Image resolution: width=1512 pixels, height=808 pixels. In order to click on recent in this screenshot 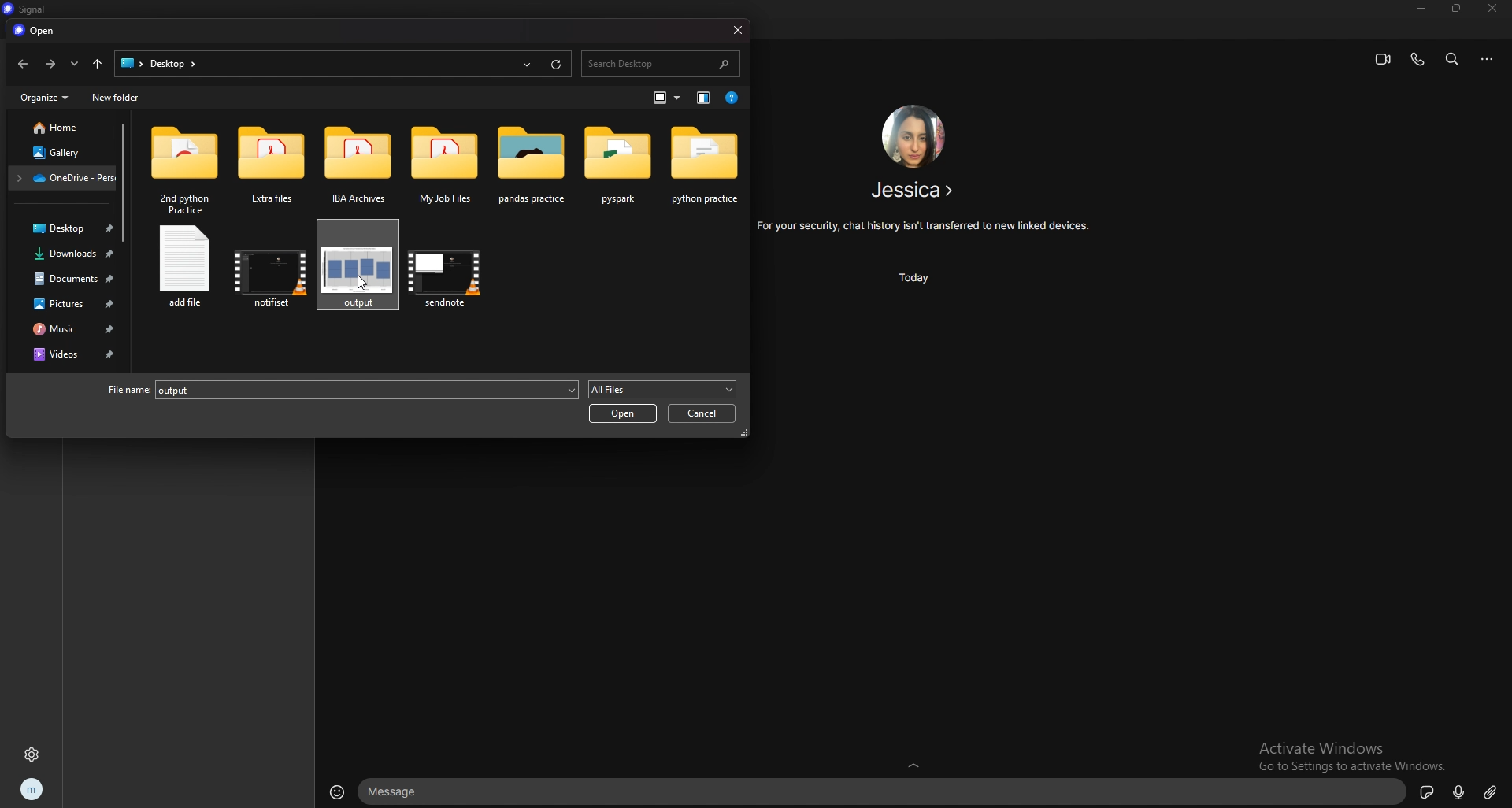, I will do `click(75, 65)`.